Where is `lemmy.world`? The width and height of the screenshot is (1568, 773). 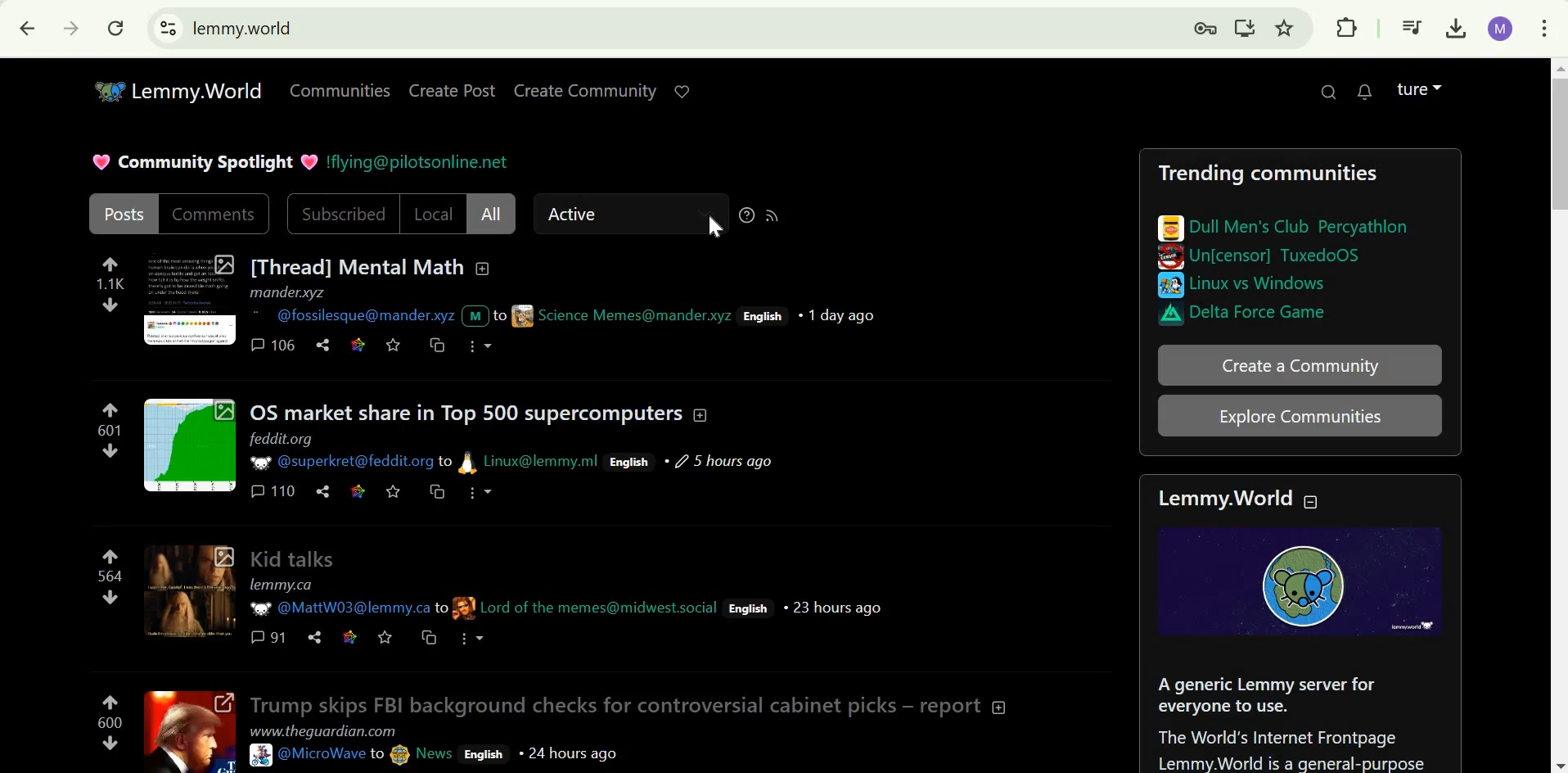
lemmy.world is located at coordinates (242, 29).